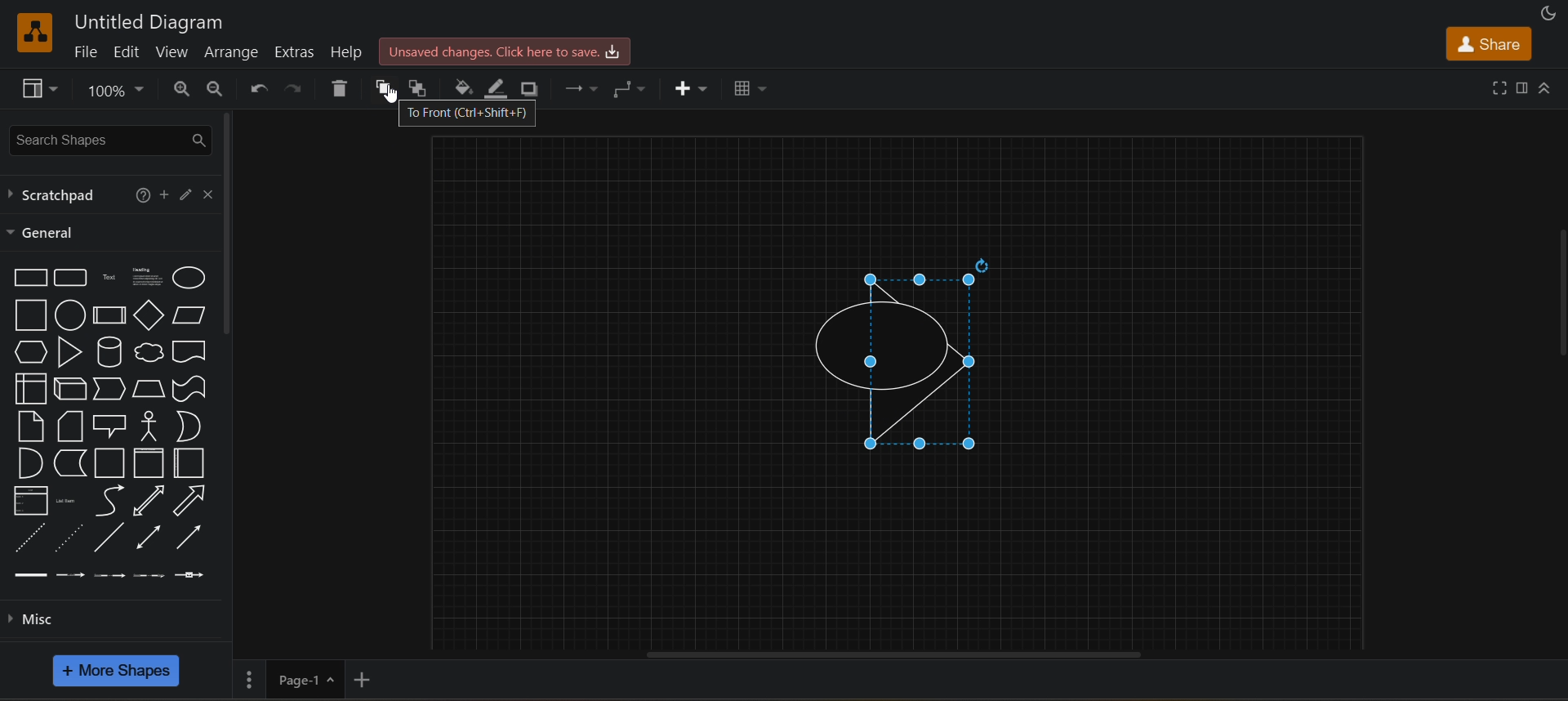  Describe the element at coordinates (42, 620) in the screenshot. I see `misc` at that location.